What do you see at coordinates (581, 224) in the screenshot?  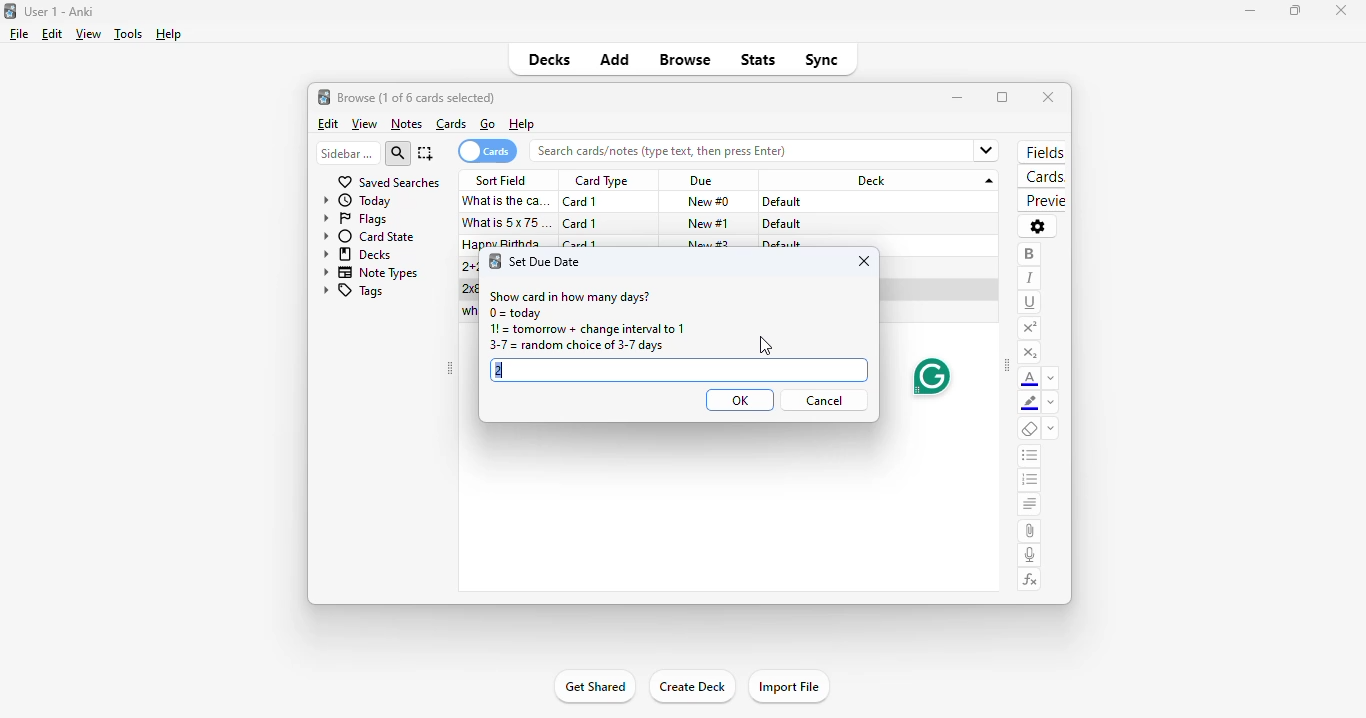 I see `card 1` at bounding box center [581, 224].